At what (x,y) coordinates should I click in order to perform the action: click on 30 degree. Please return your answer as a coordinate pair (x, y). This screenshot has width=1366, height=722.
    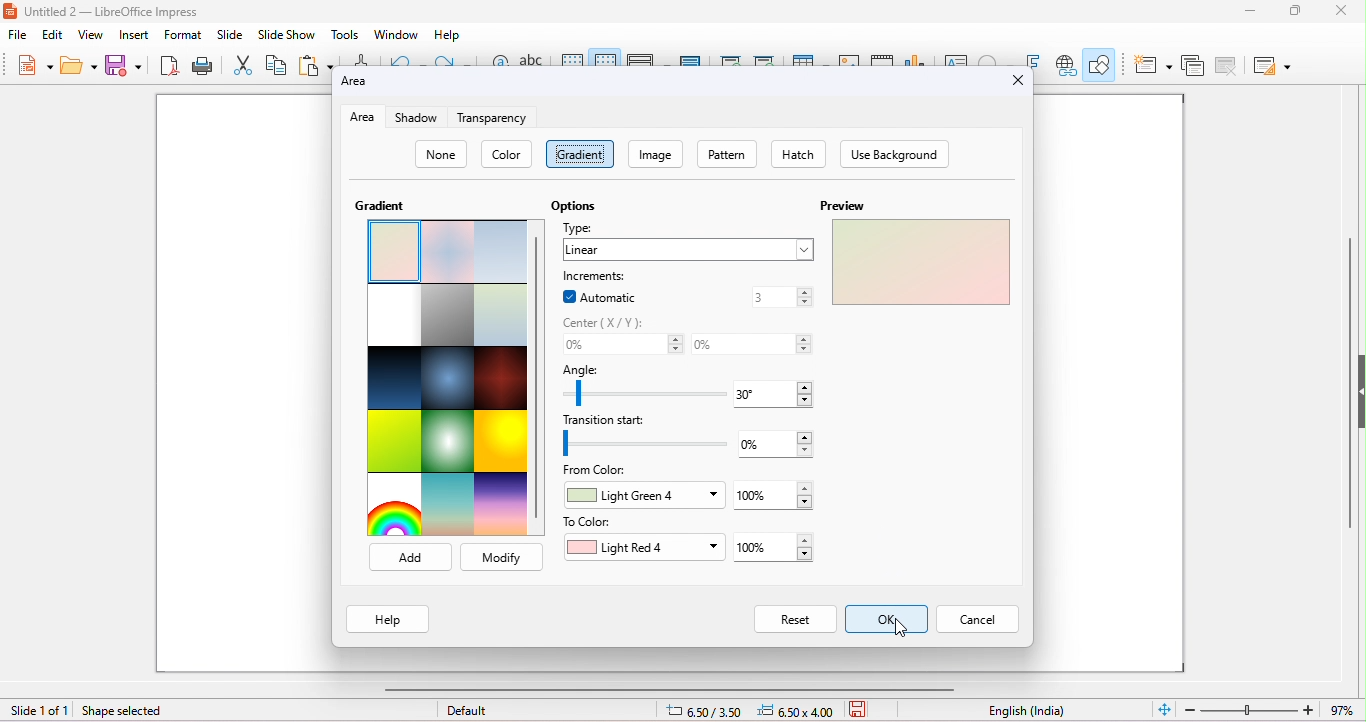
    Looking at the image, I should click on (774, 393).